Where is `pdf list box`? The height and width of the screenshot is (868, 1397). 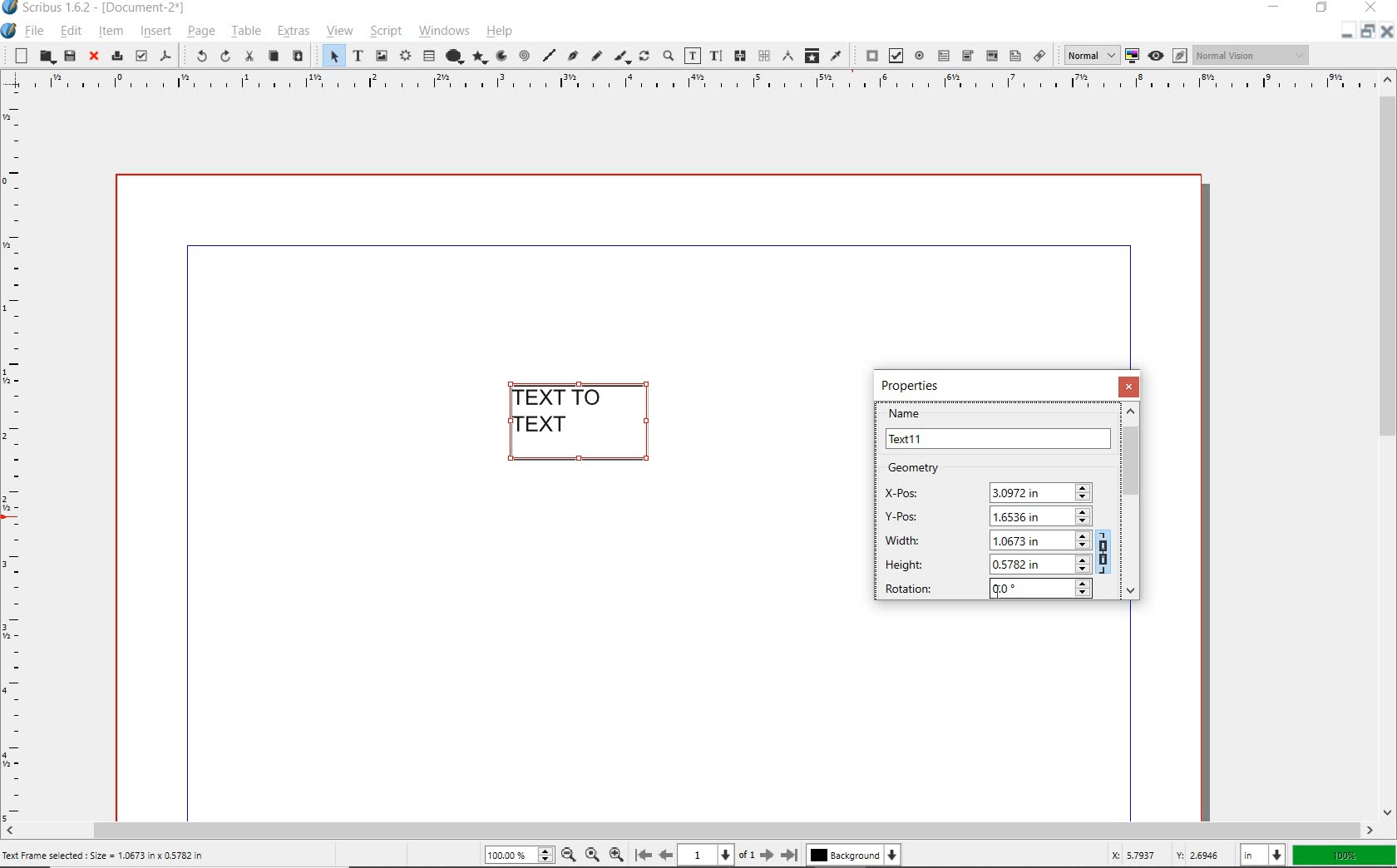
pdf list box is located at coordinates (1014, 57).